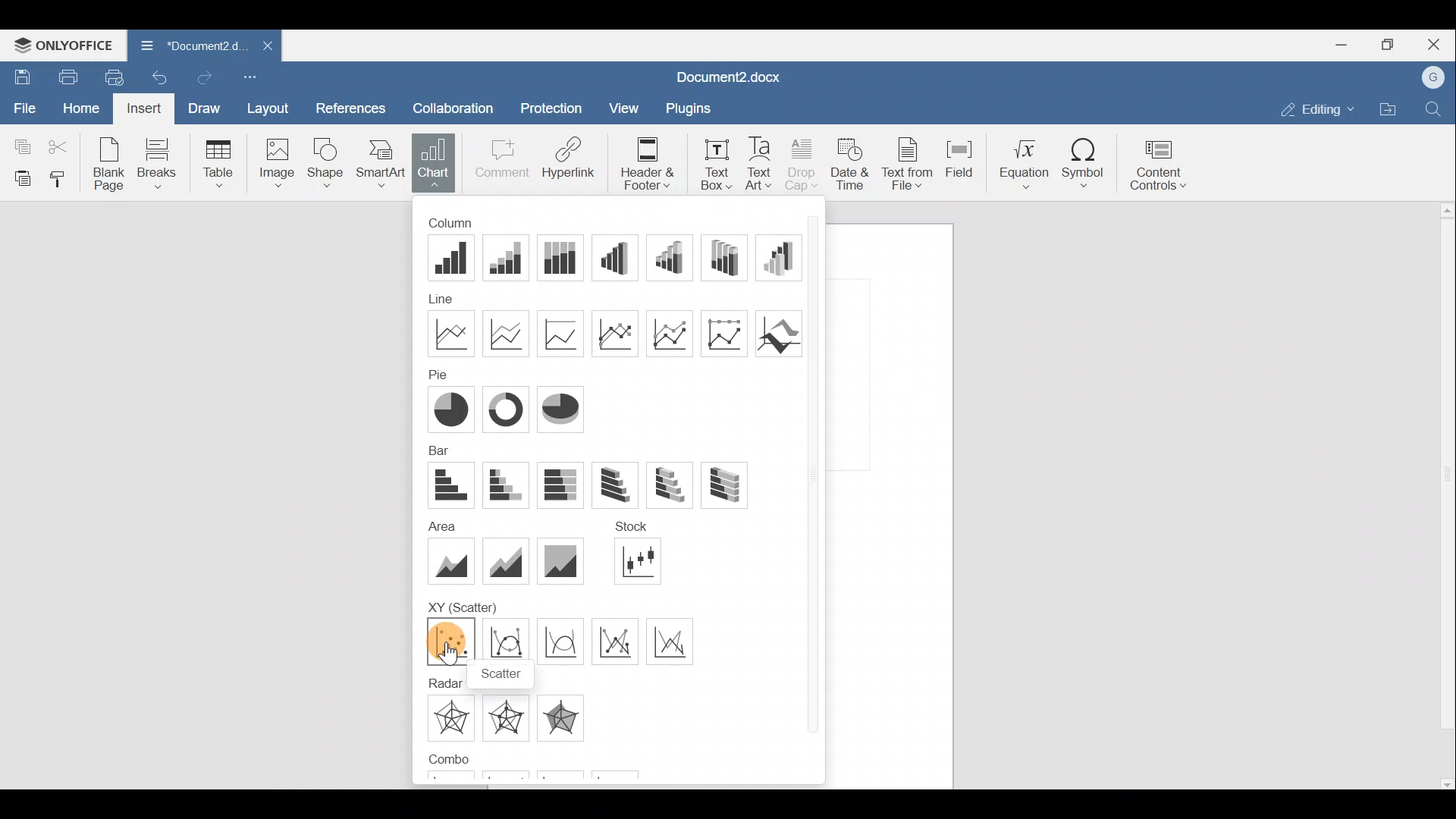 This screenshot has height=819, width=1456. What do you see at coordinates (560, 642) in the screenshot?
I see `Scatter with smooth lines` at bounding box center [560, 642].